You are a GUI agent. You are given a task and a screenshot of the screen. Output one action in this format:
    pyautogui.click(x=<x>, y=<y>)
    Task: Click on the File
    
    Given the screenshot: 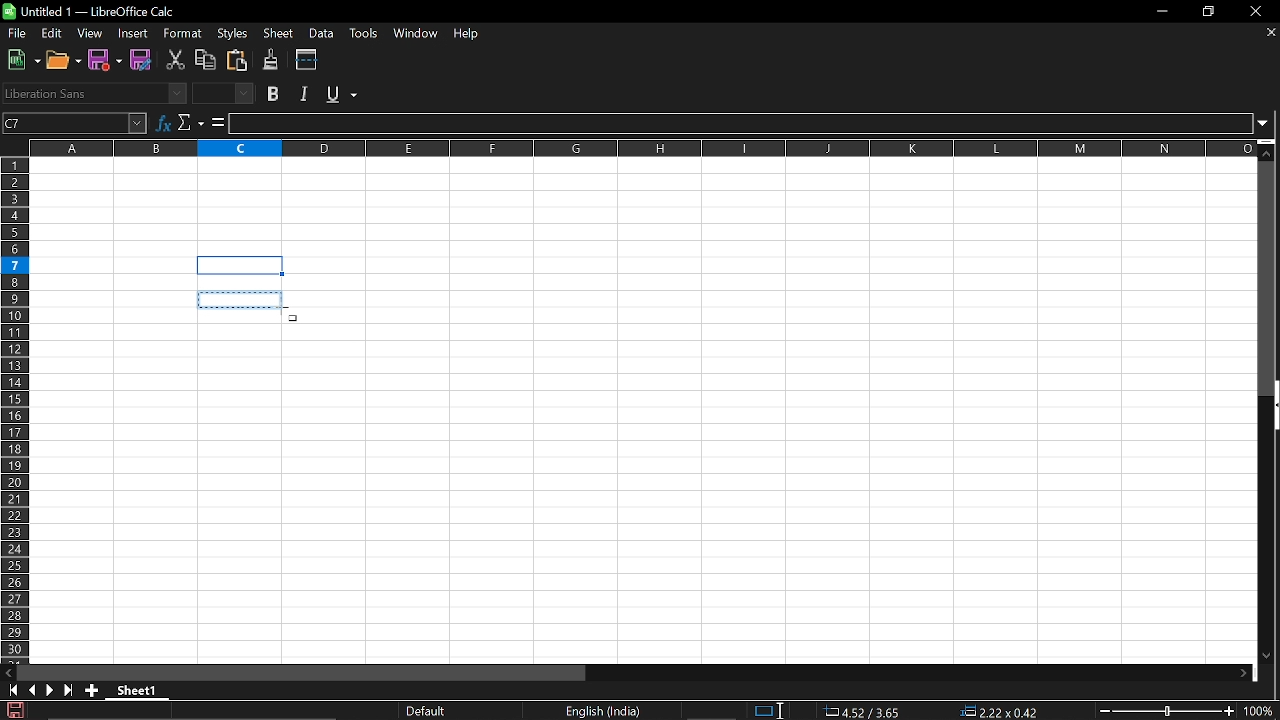 What is the action you would take?
    pyautogui.click(x=16, y=33)
    